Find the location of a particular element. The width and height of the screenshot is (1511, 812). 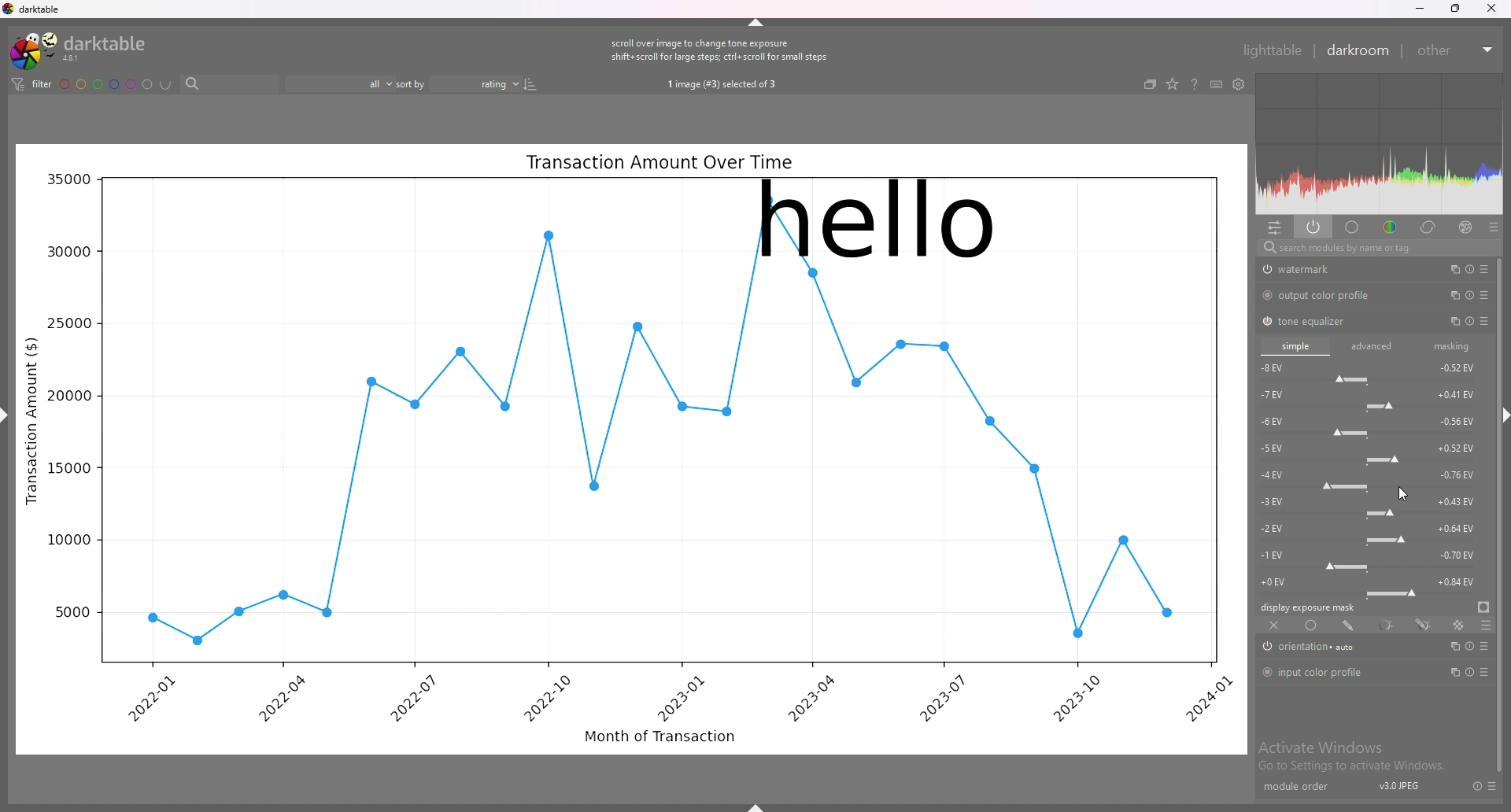

darkroom is located at coordinates (1359, 51).